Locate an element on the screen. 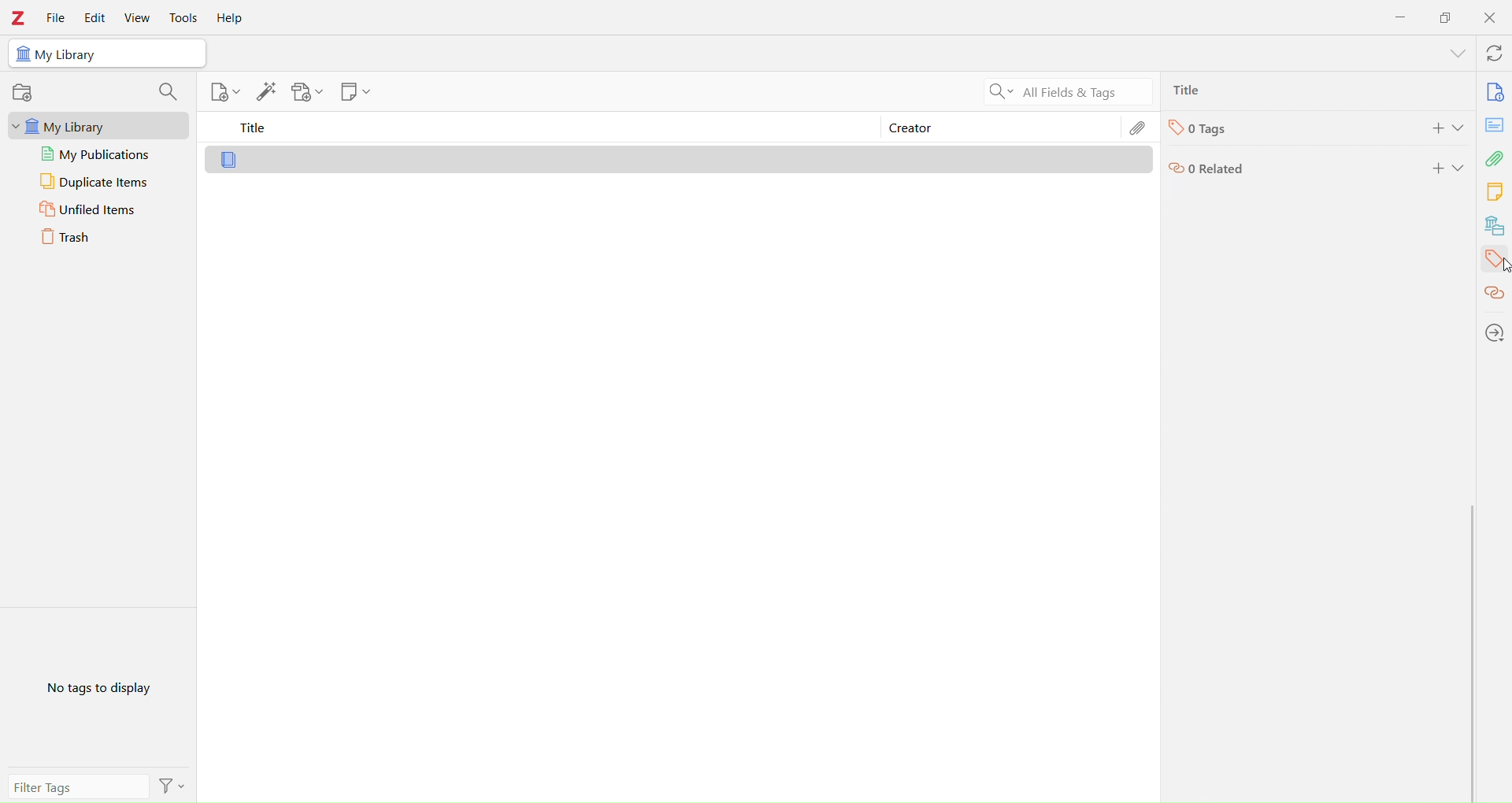  Filter is located at coordinates (173, 785).